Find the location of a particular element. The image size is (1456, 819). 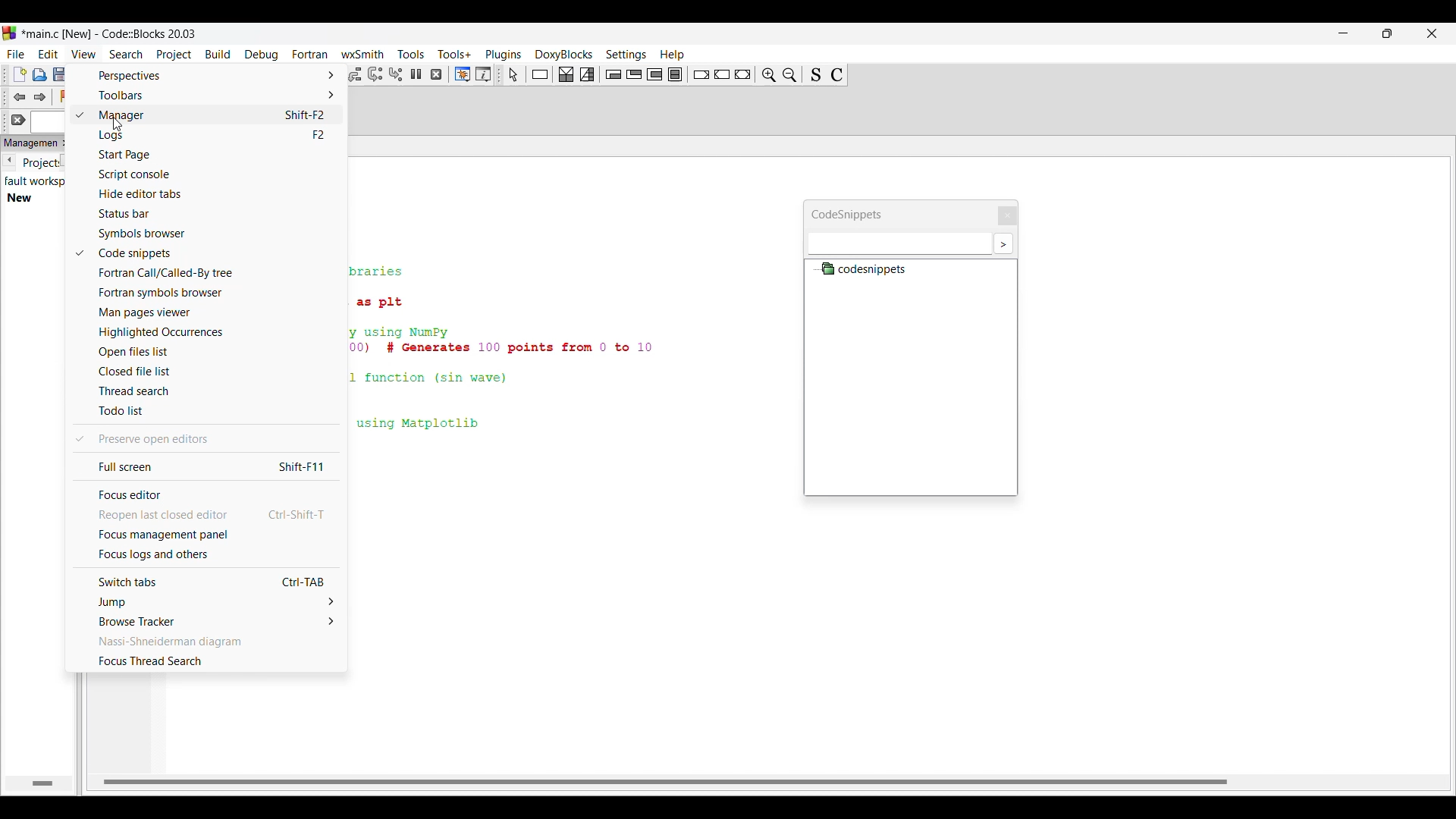

Zoom in is located at coordinates (789, 74).